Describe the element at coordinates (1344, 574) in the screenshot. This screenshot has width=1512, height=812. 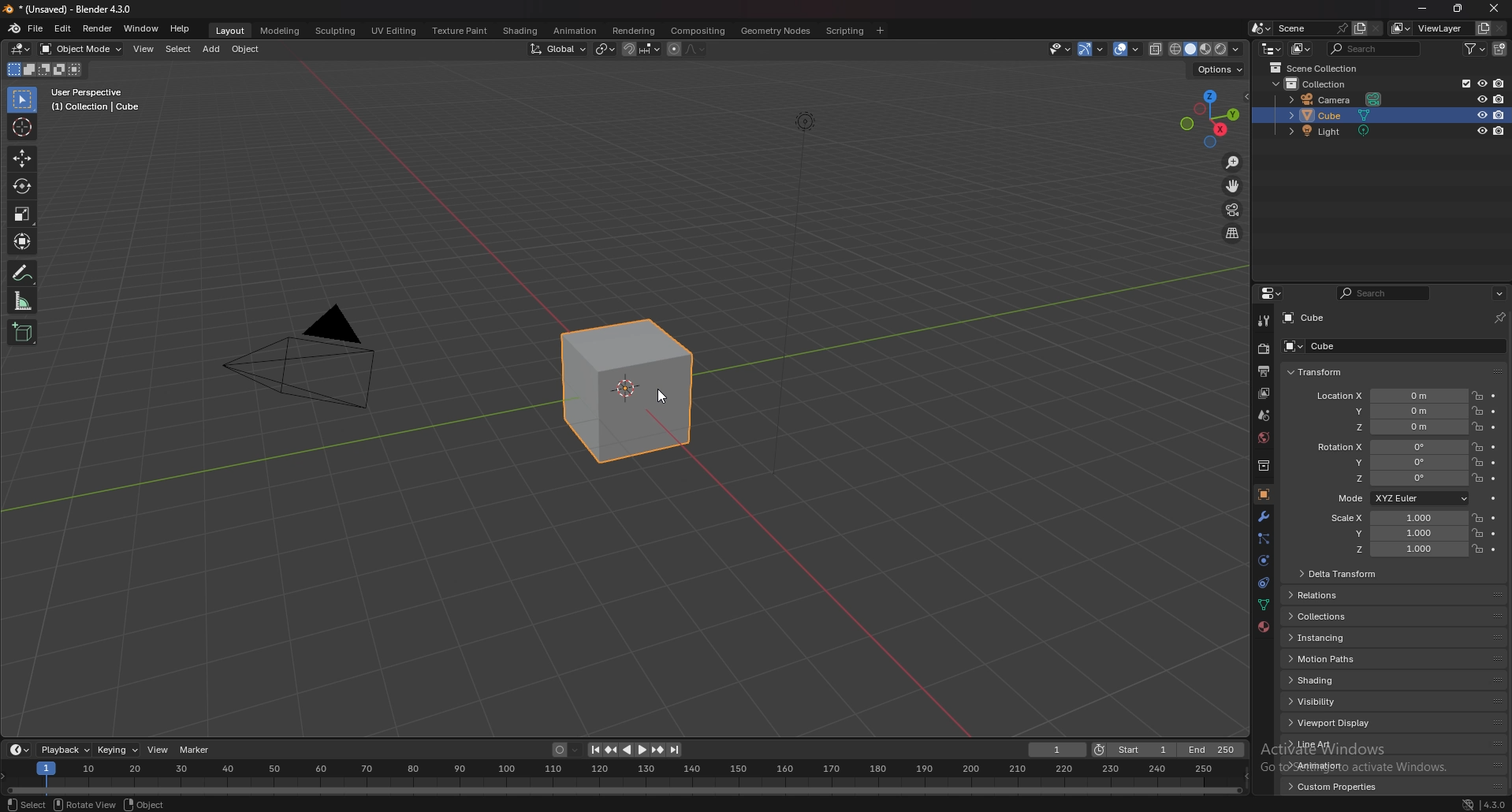
I see `delta transform` at that location.